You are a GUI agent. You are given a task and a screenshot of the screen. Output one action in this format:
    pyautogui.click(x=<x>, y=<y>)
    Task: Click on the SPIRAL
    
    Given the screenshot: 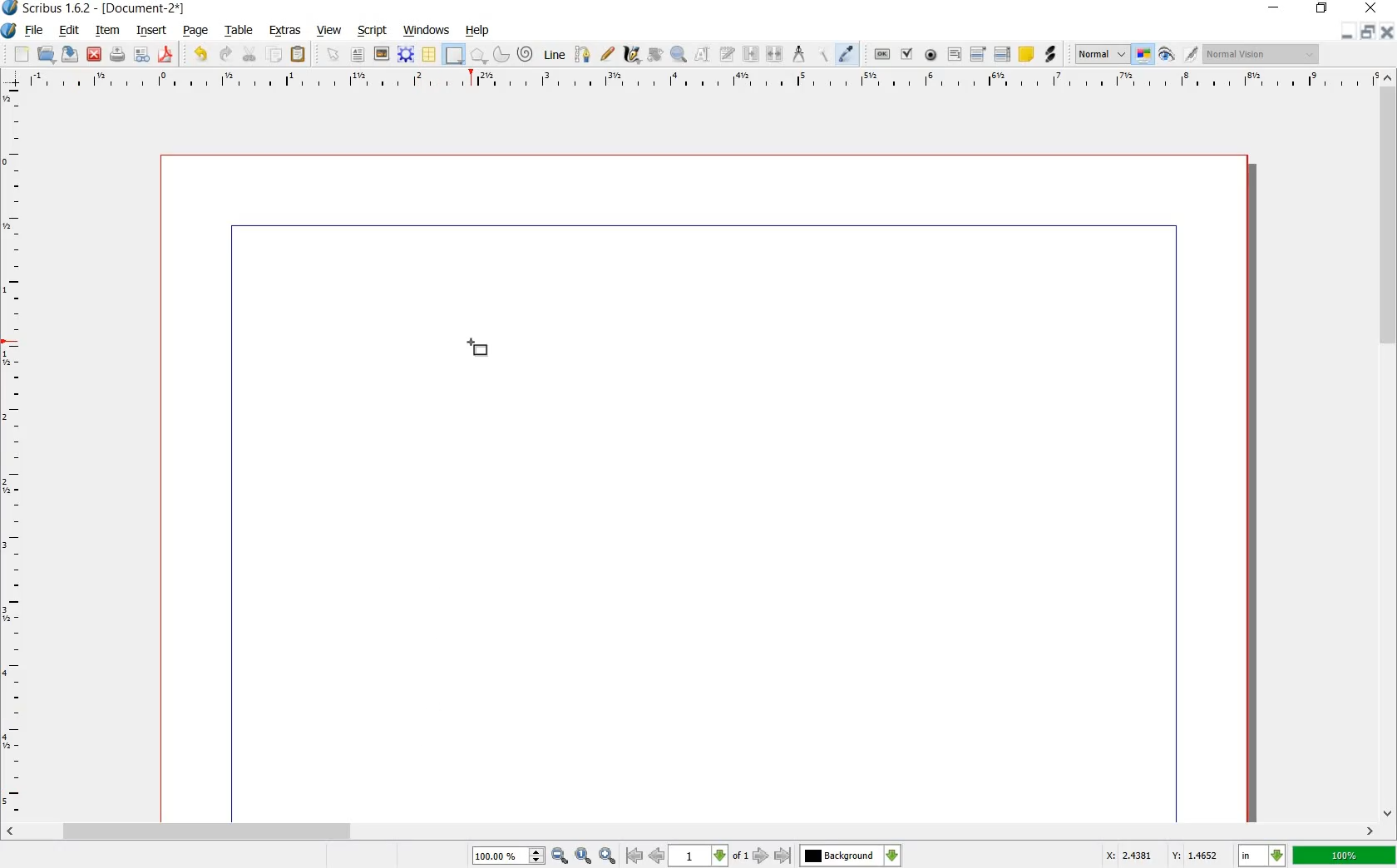 What is the action you would take?
    pyautogui.click(x=524, y=55)
    